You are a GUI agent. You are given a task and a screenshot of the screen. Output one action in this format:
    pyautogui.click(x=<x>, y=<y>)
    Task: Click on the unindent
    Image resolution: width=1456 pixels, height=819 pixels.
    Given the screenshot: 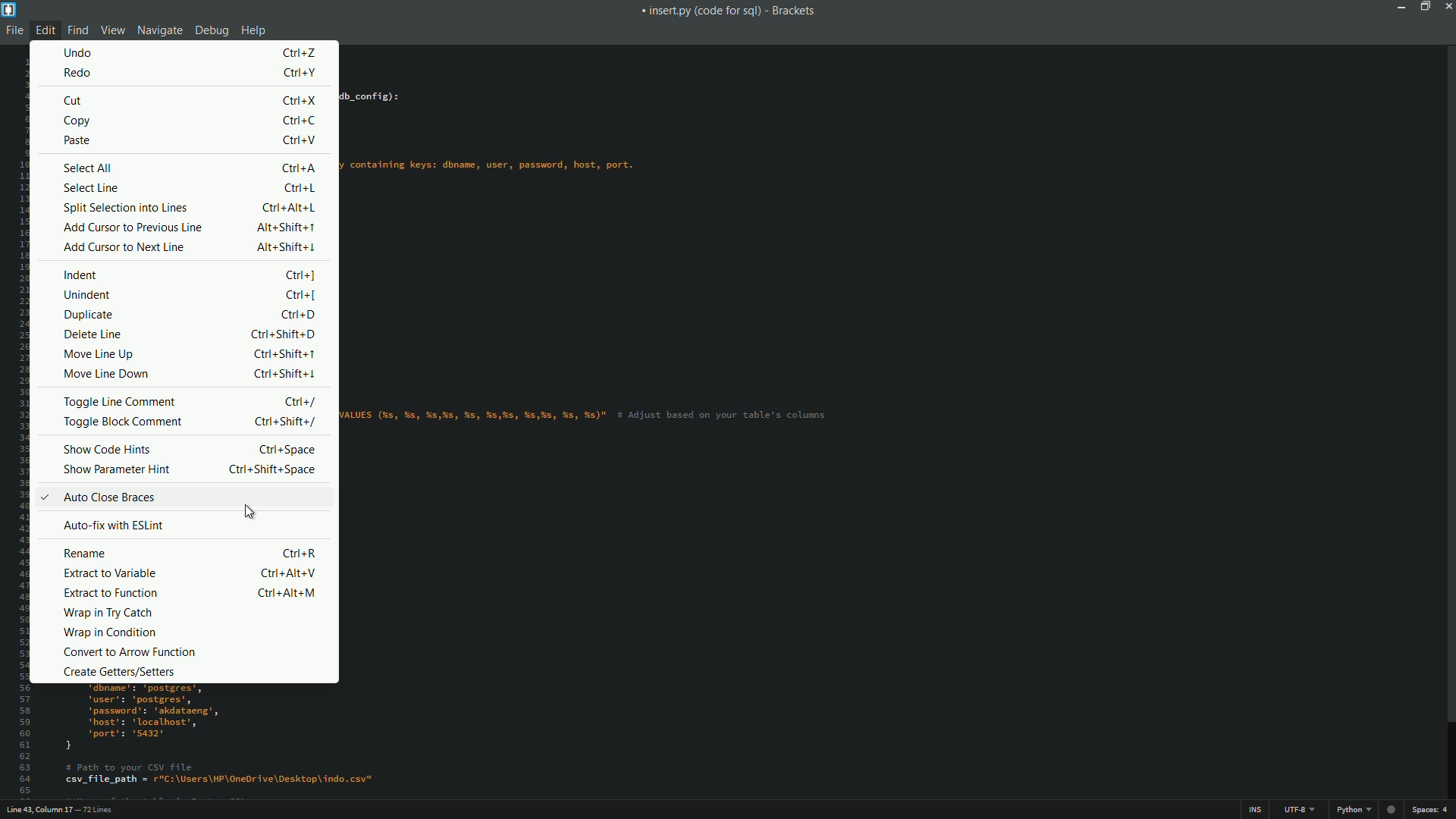 What is the action you would take?
    pyautogui.click(x=87, y=295)
    